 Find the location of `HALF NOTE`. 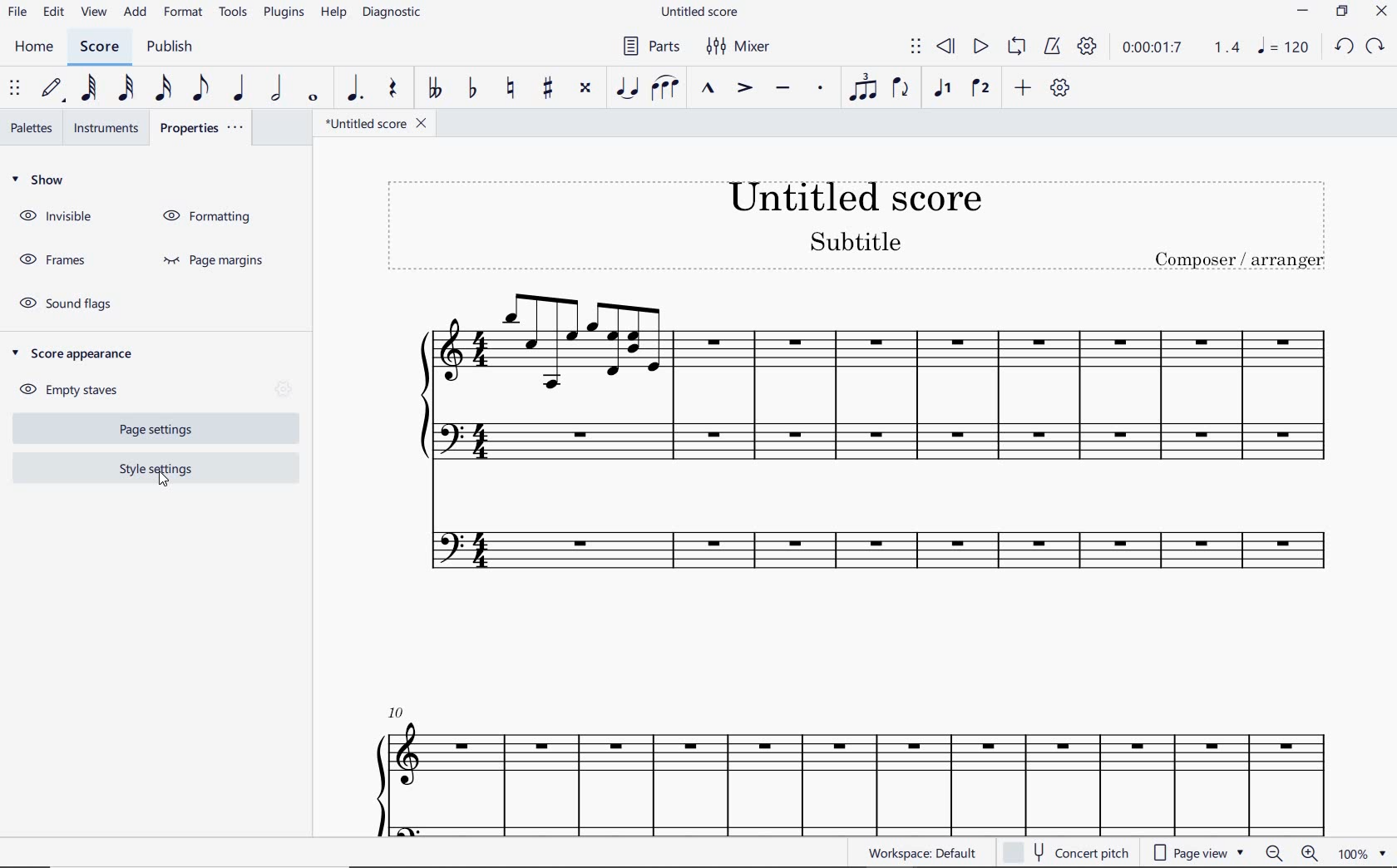

HALF NOTE is located at coordinates (278, 87).